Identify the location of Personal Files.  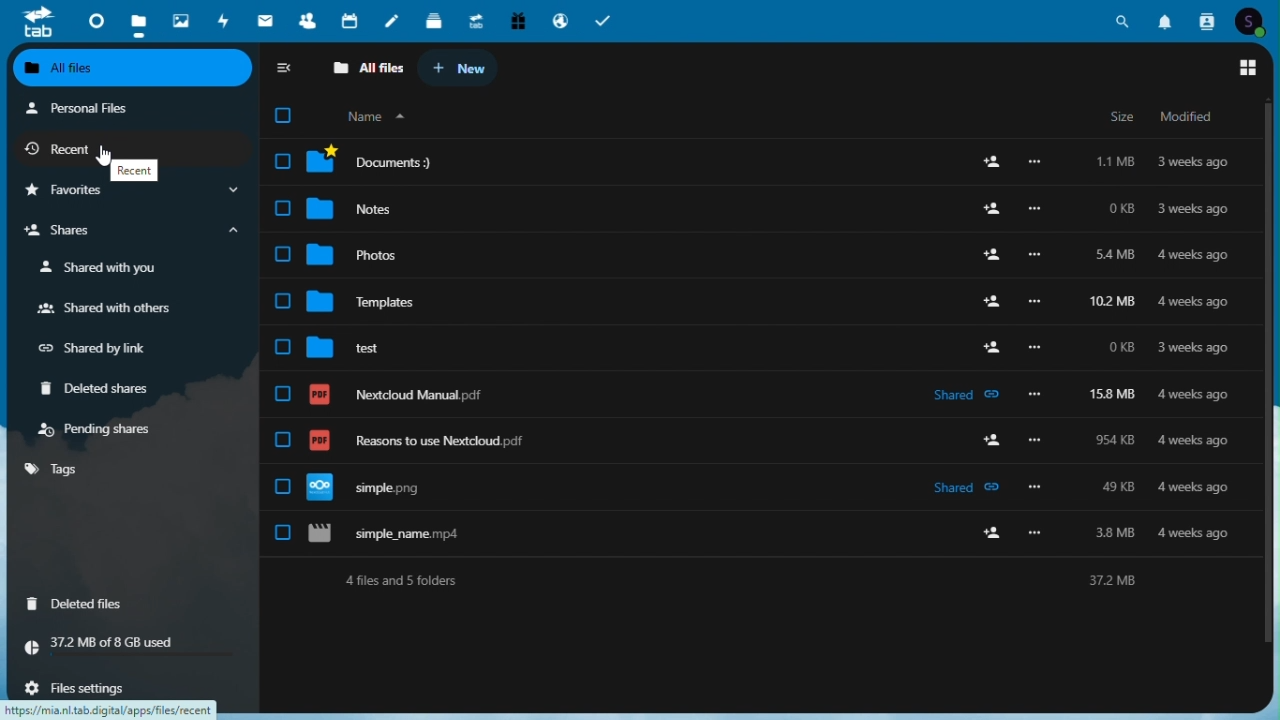
(80, 107).